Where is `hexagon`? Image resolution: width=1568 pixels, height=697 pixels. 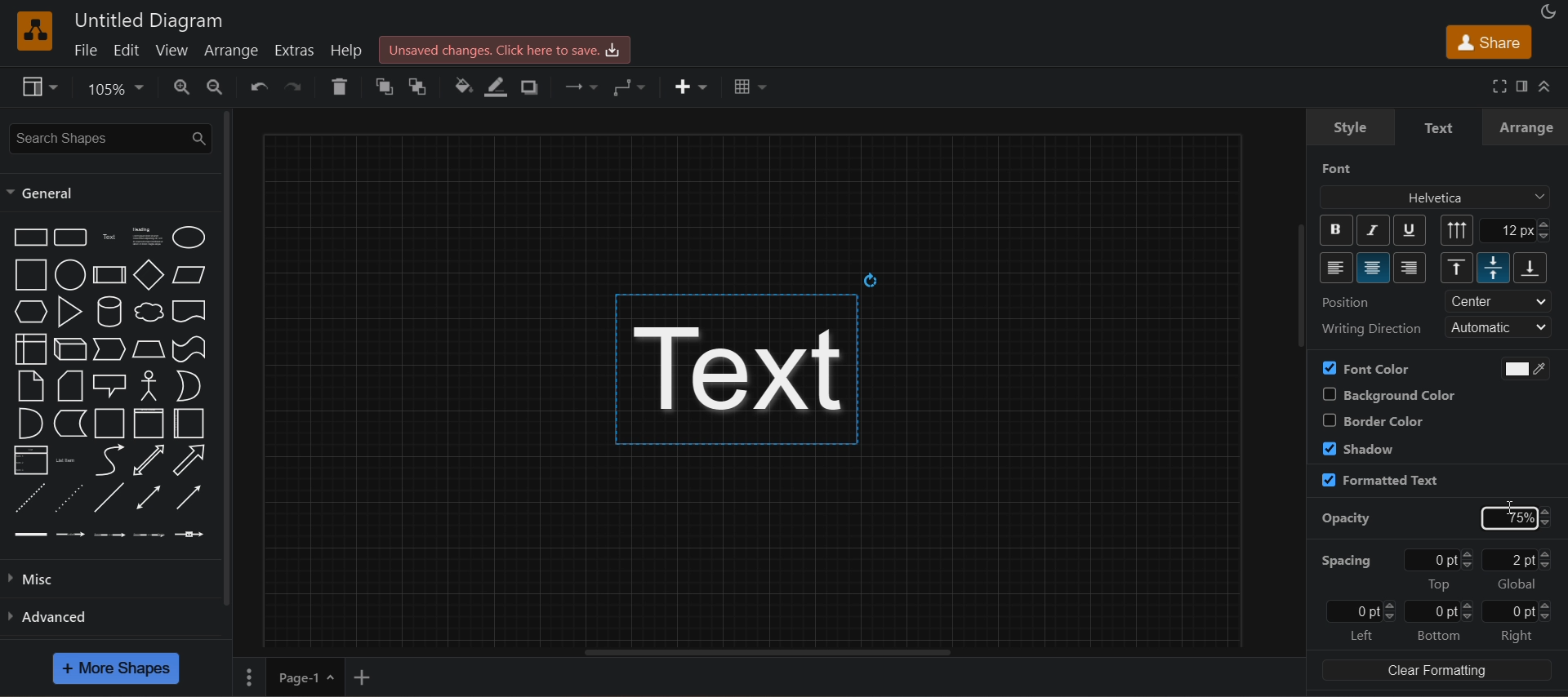 hexagon is located at coordinates (29, 311).